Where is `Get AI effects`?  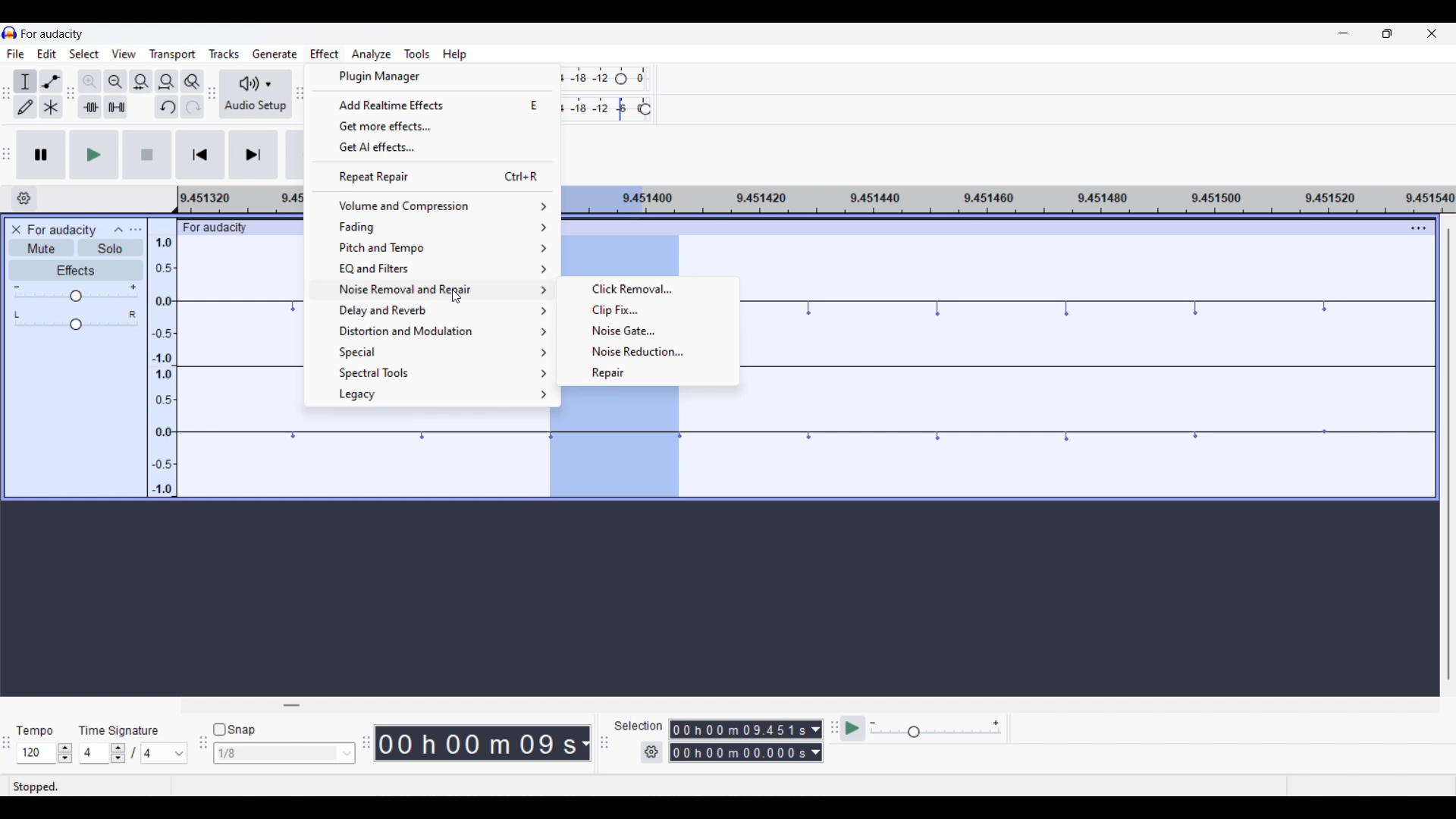
Get AI effects is located at coordinates (433, 148).